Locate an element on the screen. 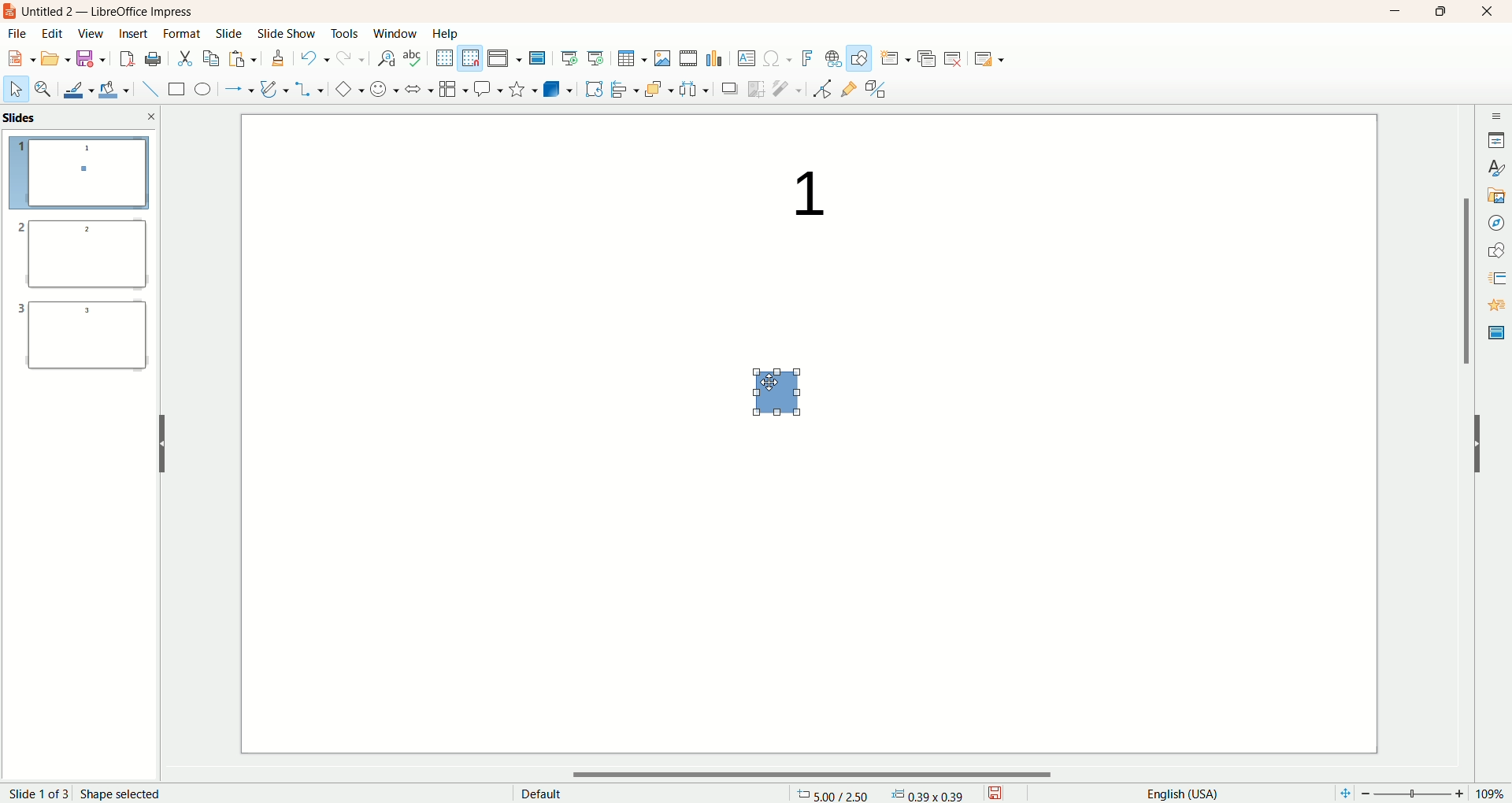 This screenshot has height=803, width=1512. 3D objects is located at coordinates (558, 89).